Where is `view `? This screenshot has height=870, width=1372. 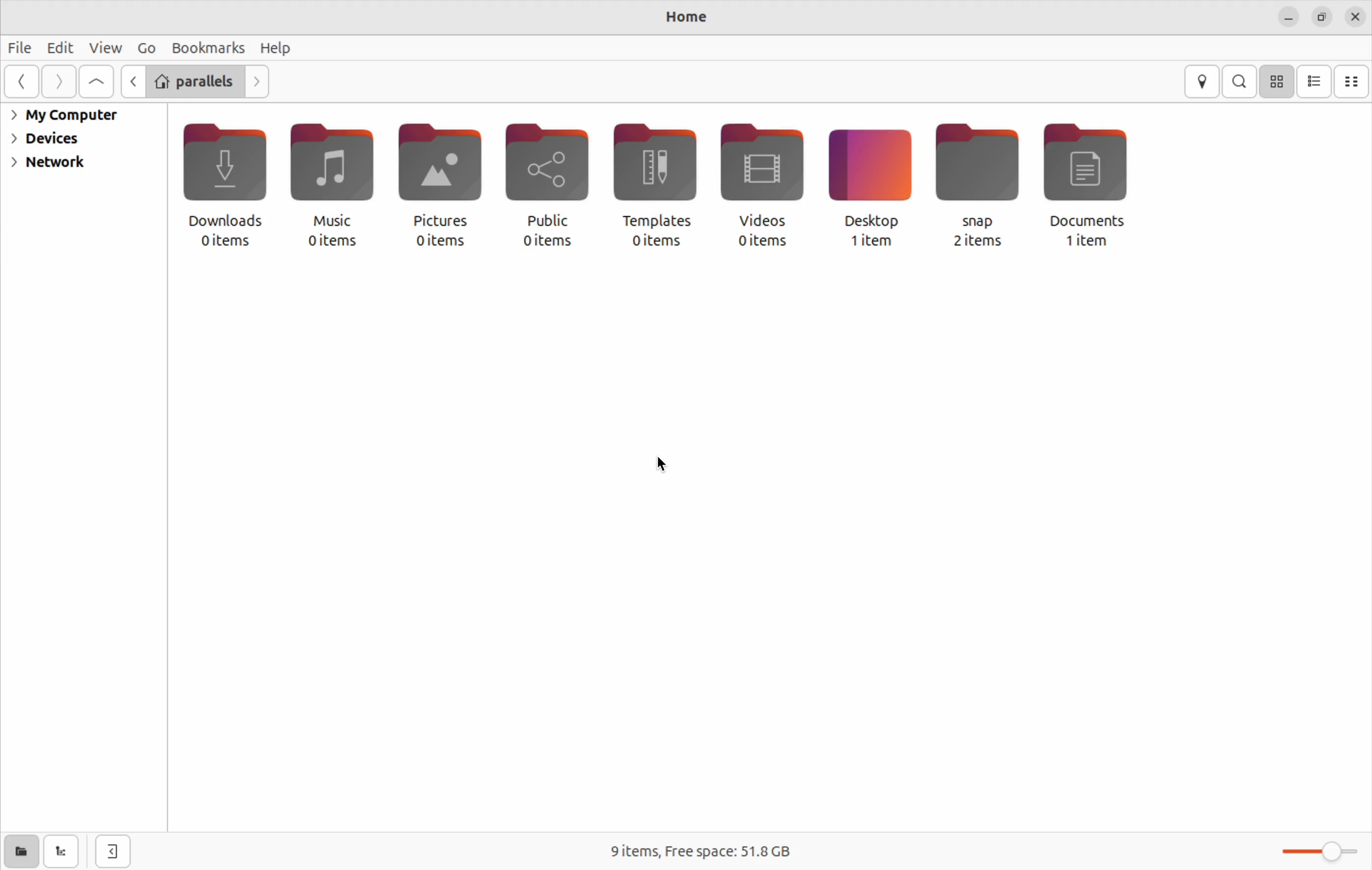 view  is located at coordinates (105, 46).